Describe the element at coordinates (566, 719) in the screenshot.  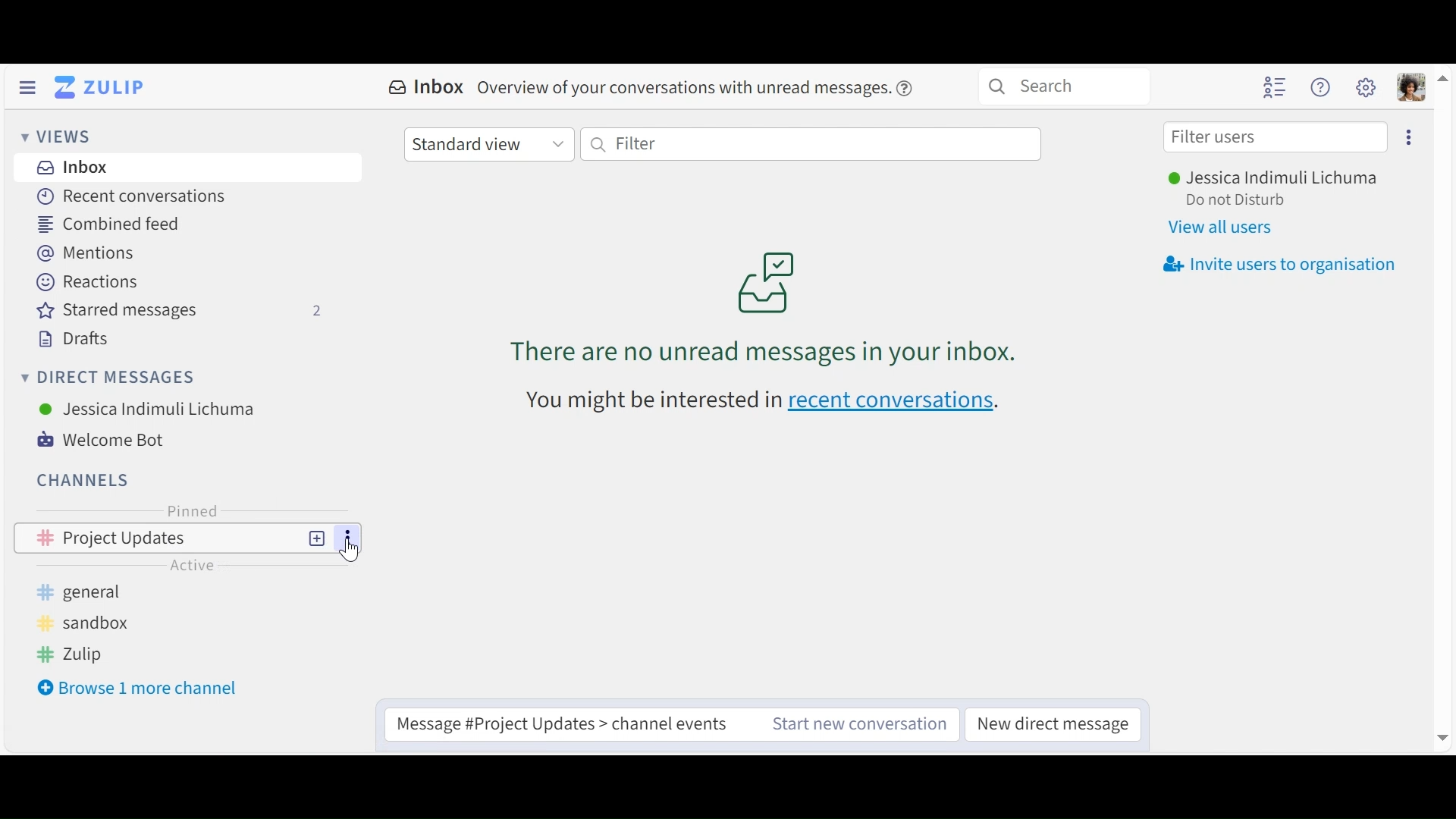
I see `Compose message` at that location.